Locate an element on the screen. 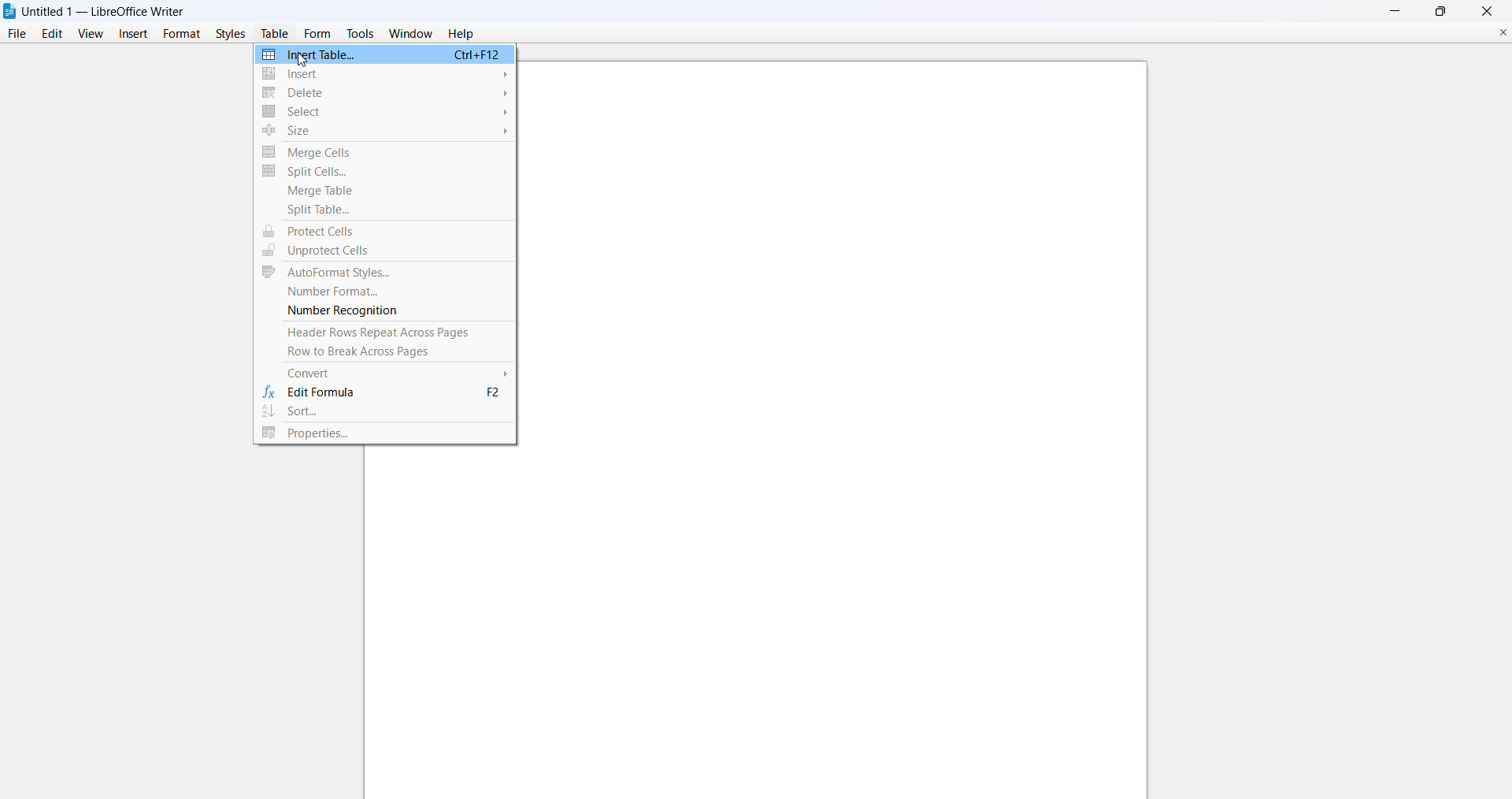 The width and height of the screenshot is (1512, 799). select is located at coordinates (384, 113).